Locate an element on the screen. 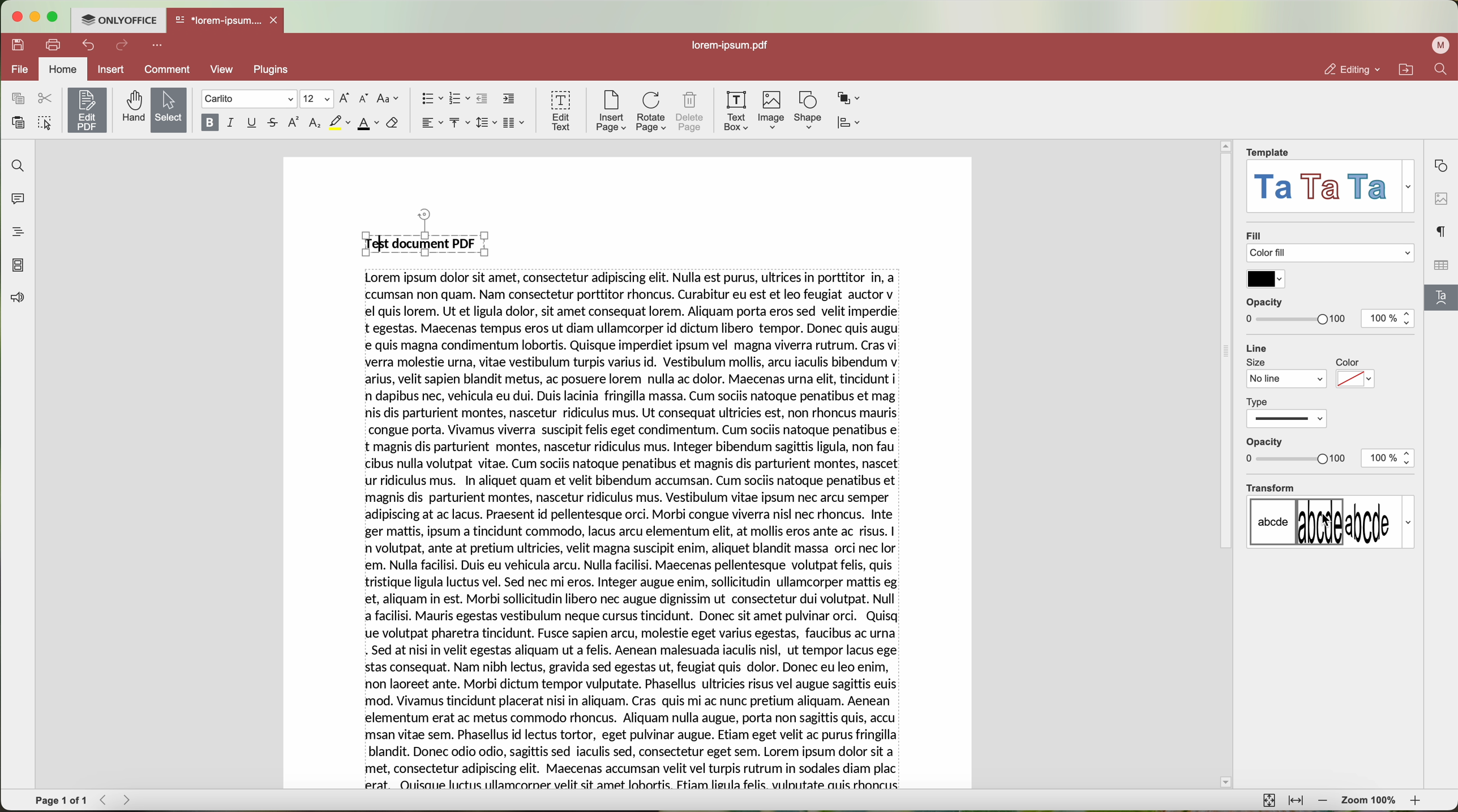 The height and width of the screenshot is (812, 1458). image is located at coordinates (773, 111).